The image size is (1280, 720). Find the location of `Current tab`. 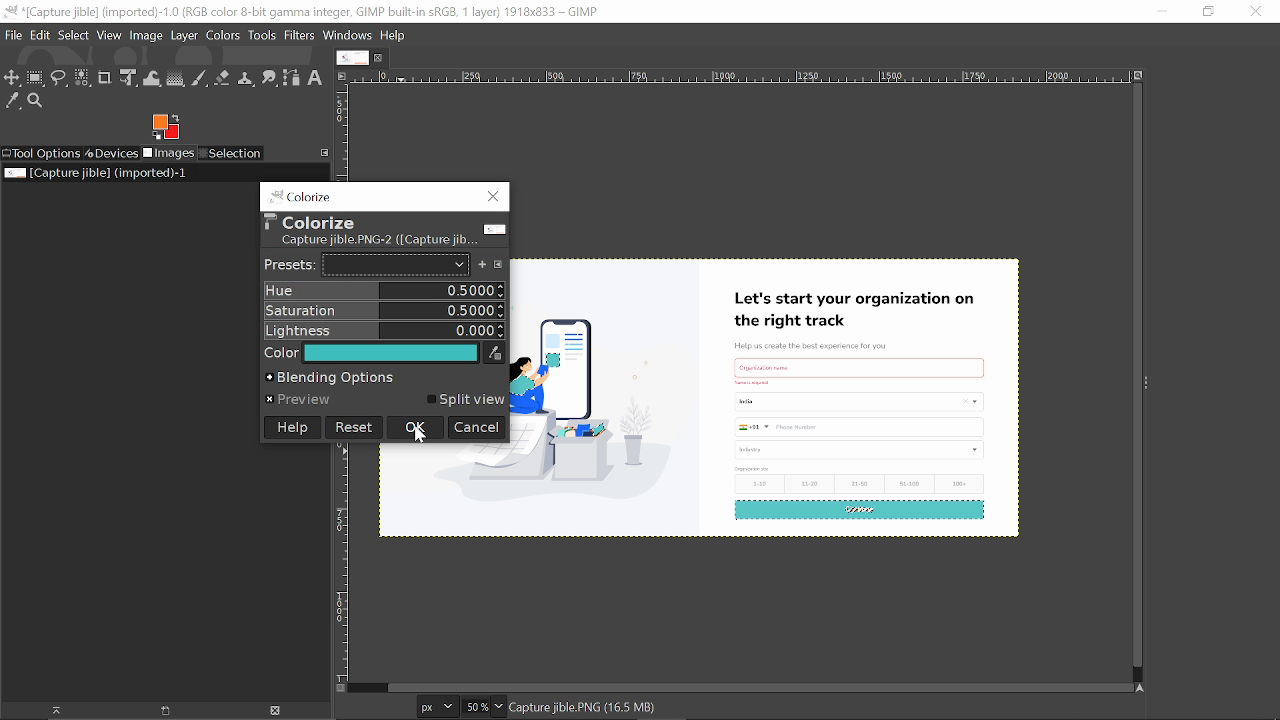

Current tab is located at coordinates (353, 58).